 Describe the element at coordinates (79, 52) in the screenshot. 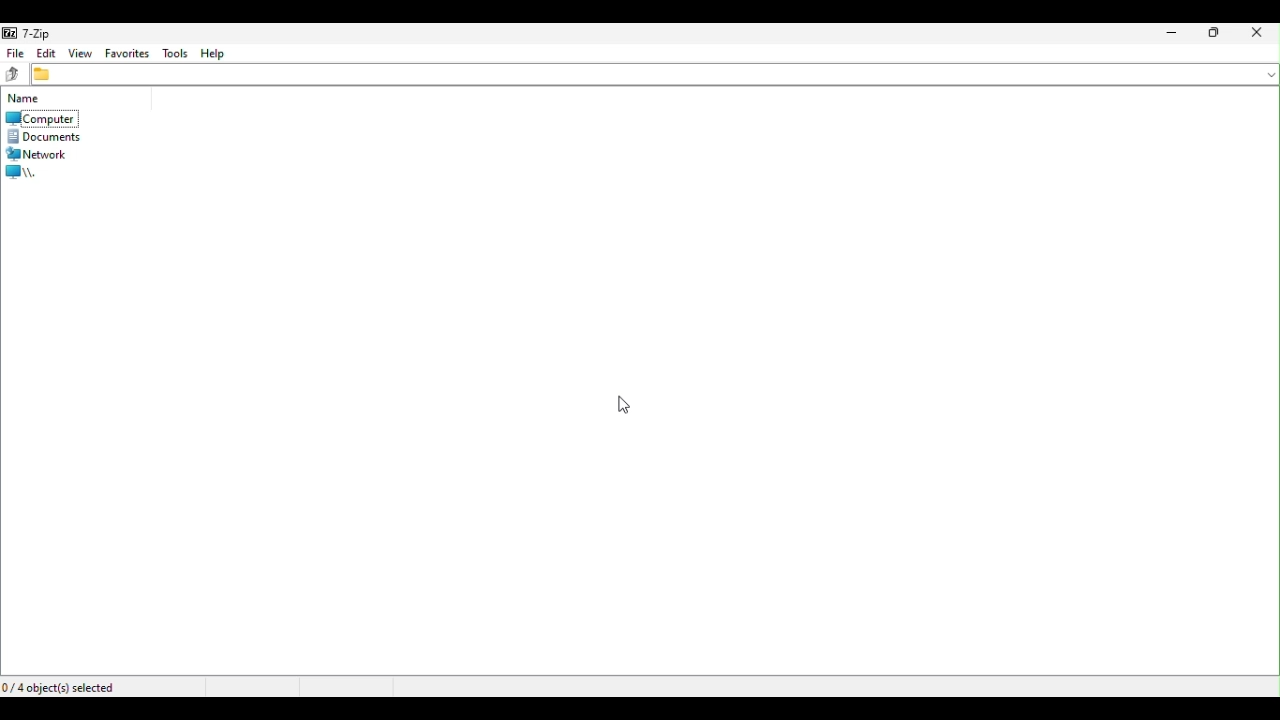

I see `View` at that location.